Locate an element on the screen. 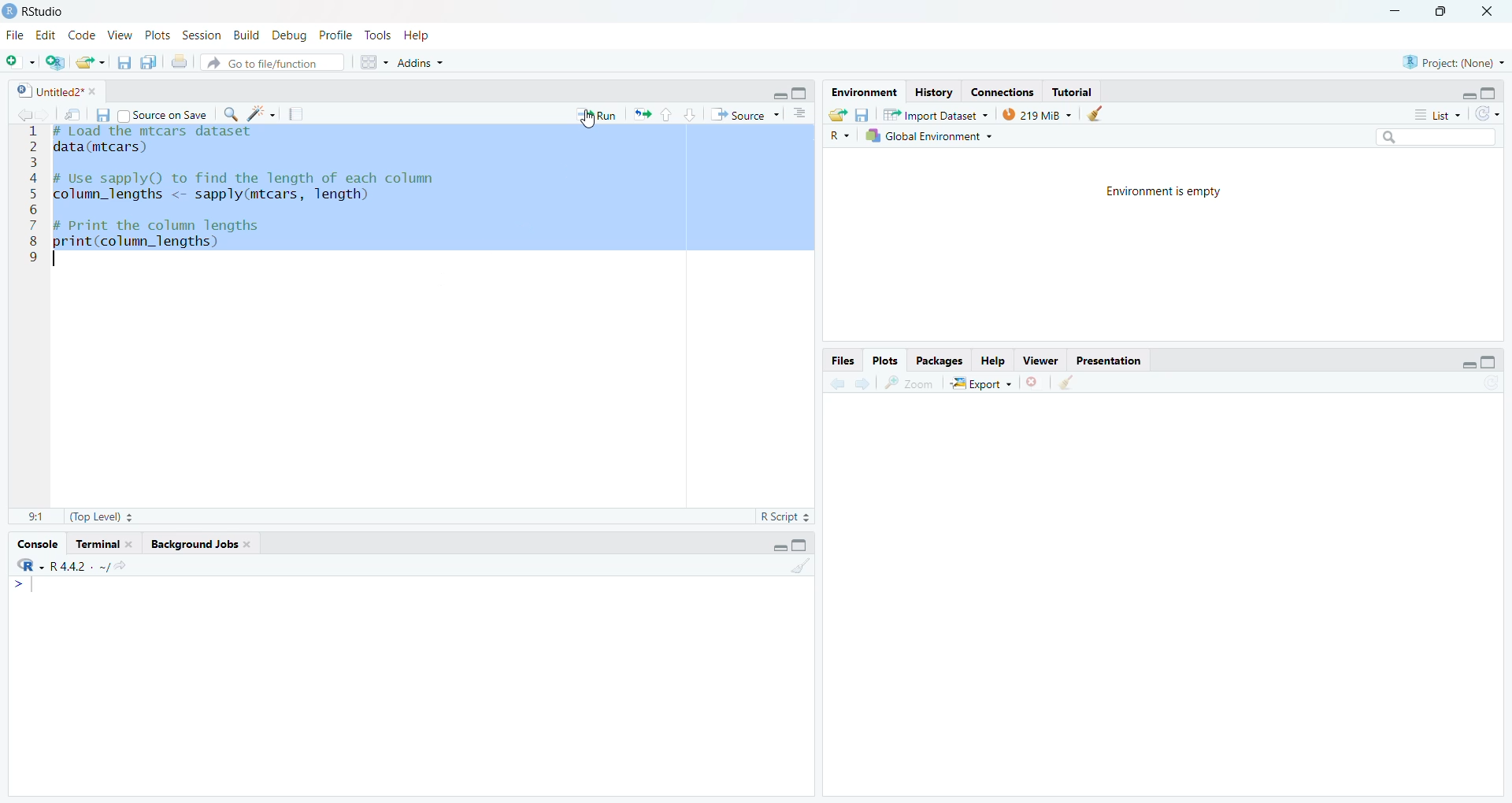 The image size is (1512, 803). Help. is located at coordinates (991, 360).